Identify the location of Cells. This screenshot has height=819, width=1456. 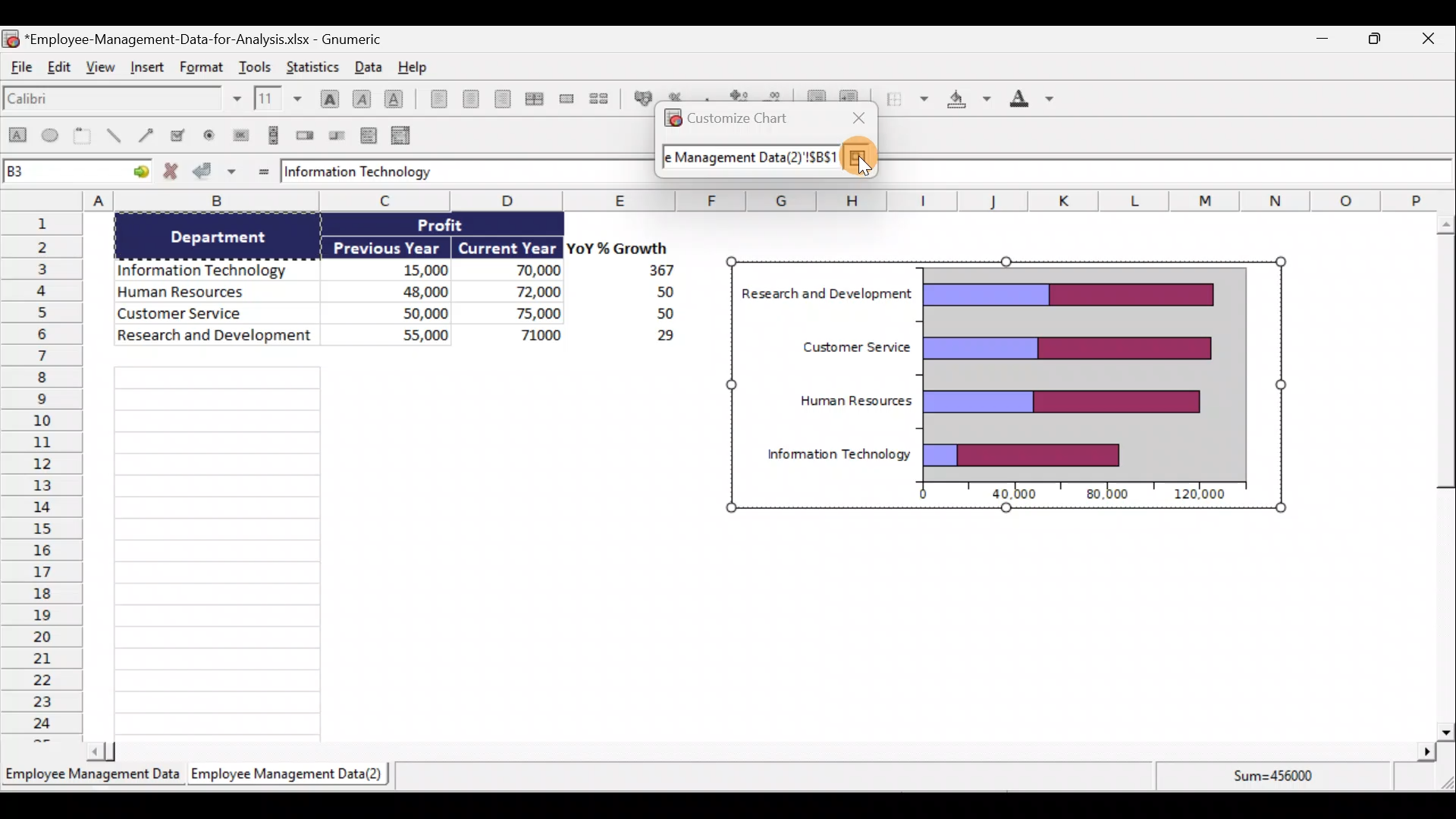
(394, 550).